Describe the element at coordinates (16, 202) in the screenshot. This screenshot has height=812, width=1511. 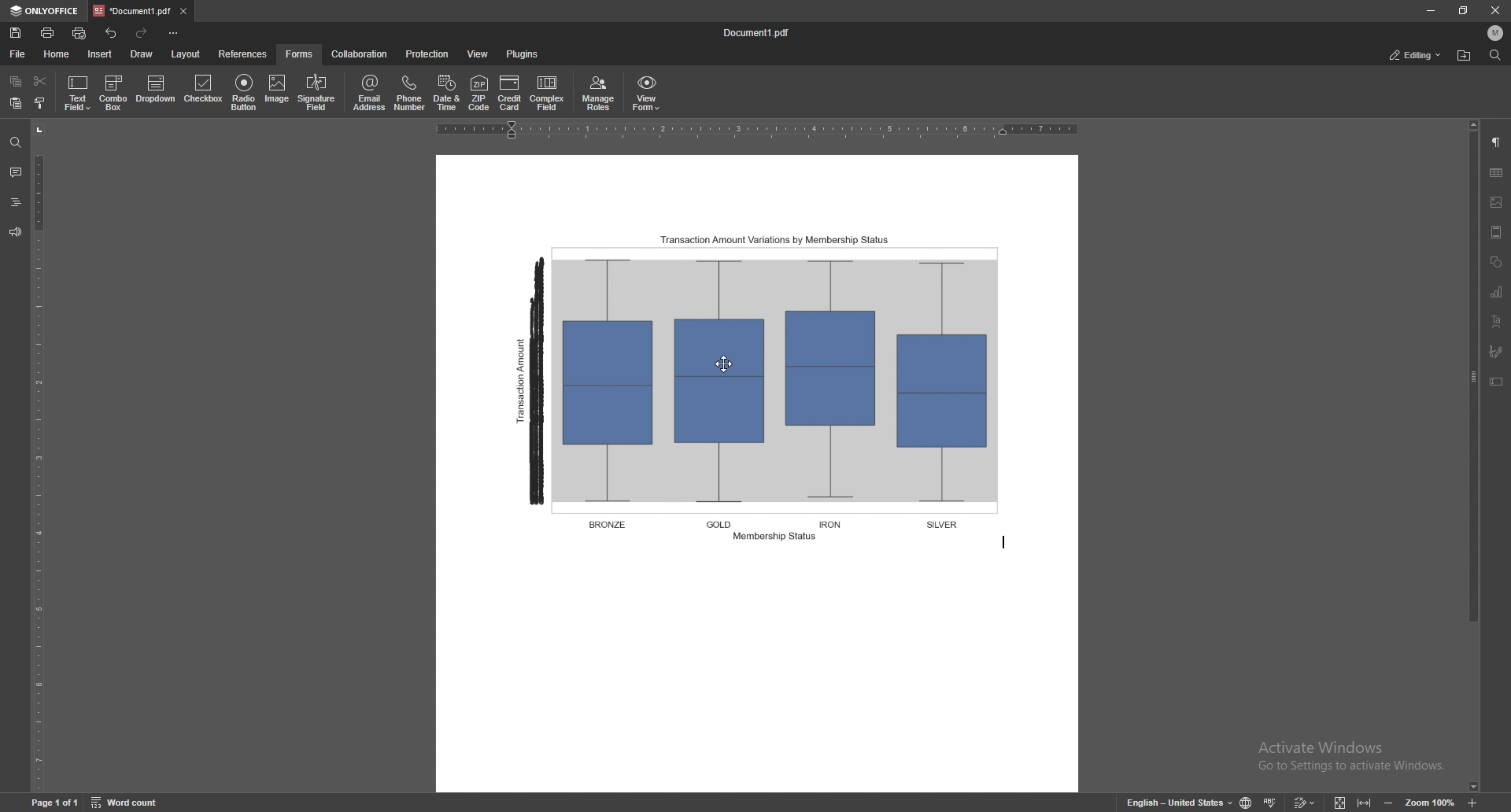
I see `headings` at that location.